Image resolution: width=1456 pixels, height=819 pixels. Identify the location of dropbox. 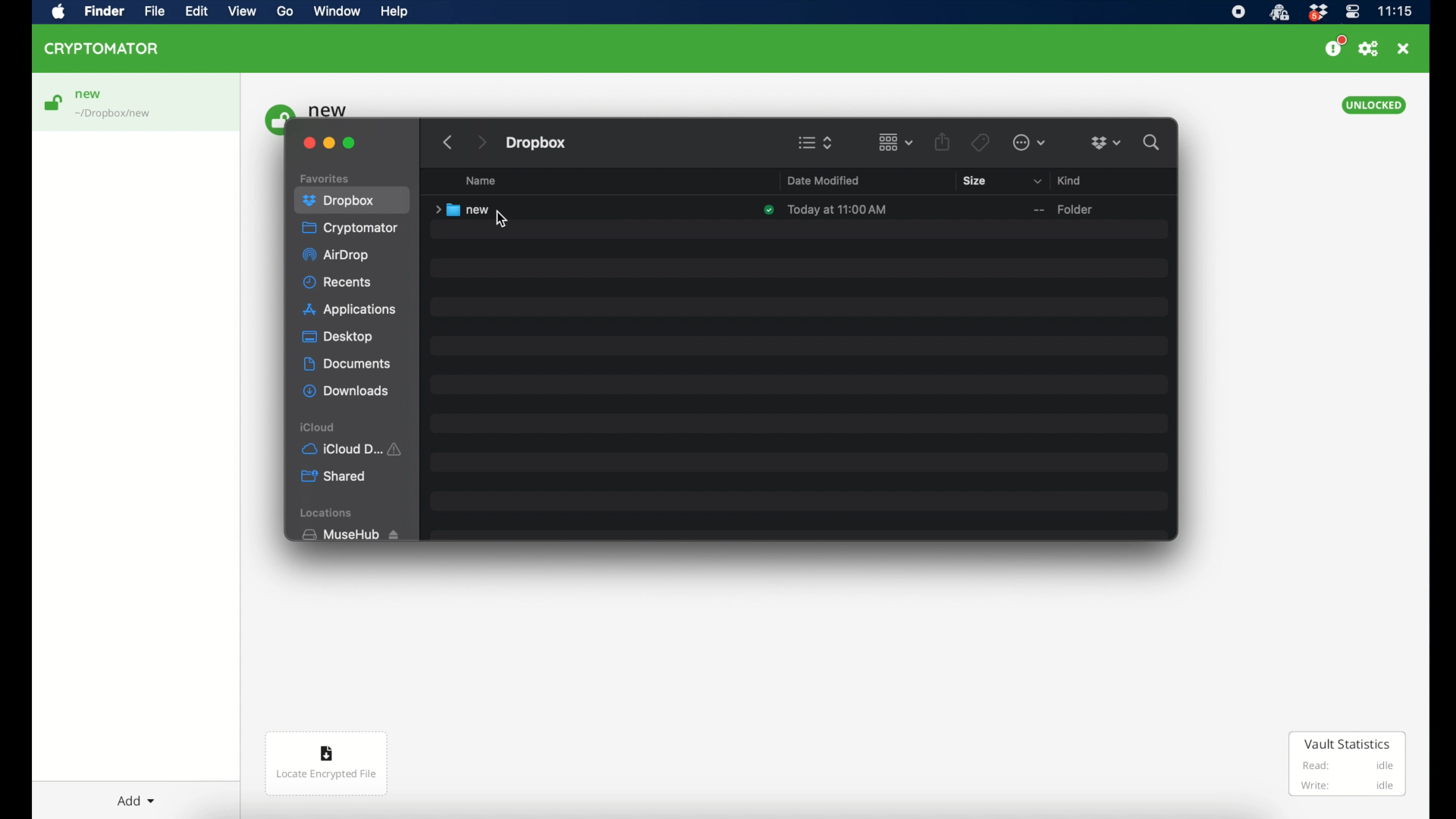
(339, 199).